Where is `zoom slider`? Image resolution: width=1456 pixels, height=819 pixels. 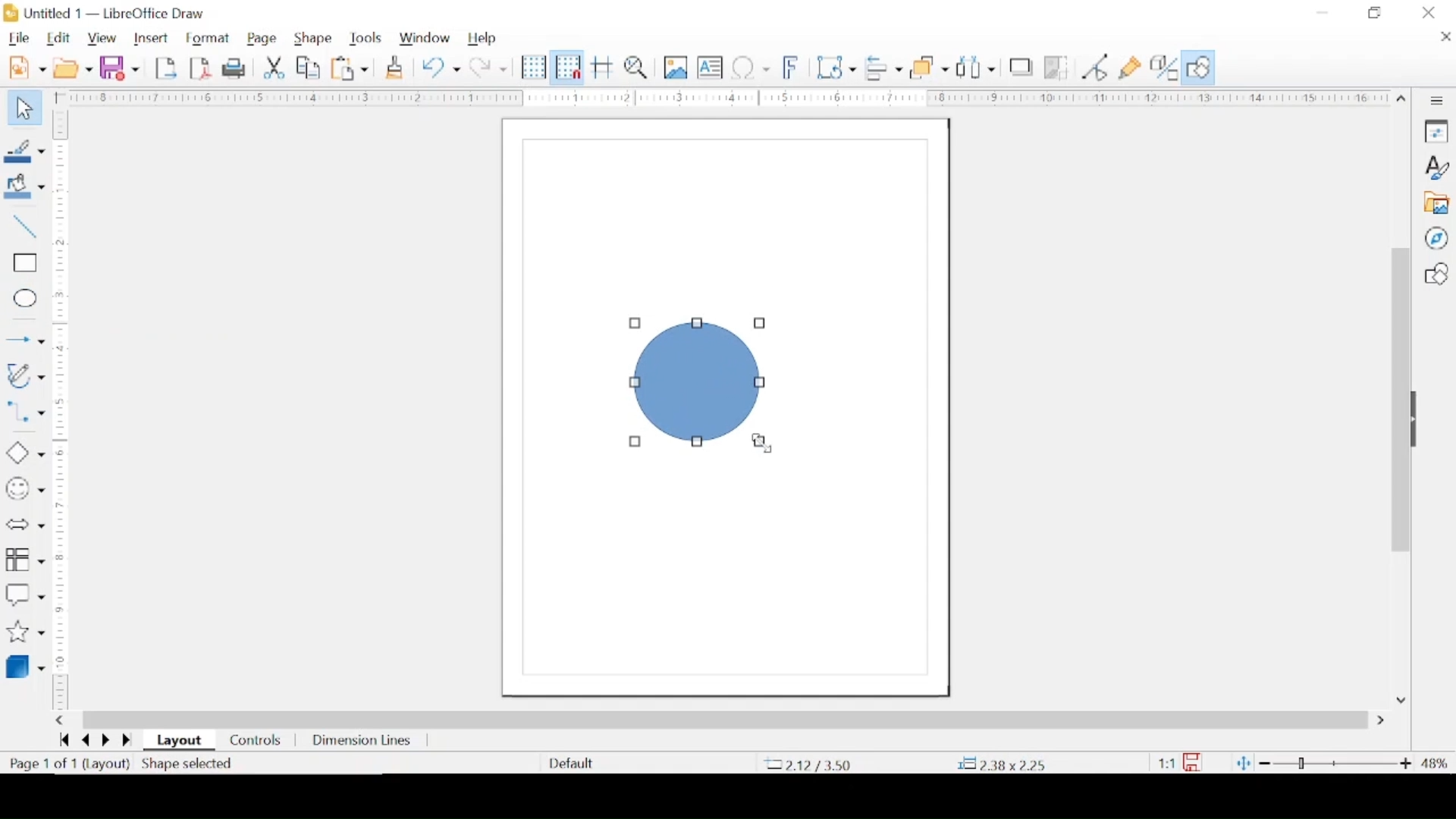 zoom slider is located at coordinates (1335, 761).